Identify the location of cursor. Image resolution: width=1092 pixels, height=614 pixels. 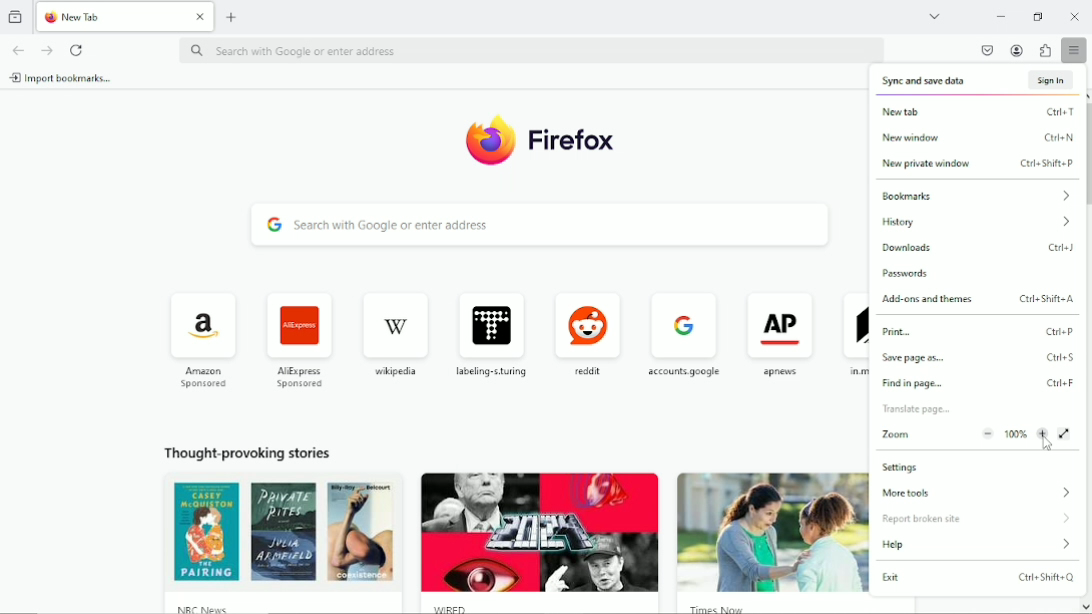
(1045, 443).